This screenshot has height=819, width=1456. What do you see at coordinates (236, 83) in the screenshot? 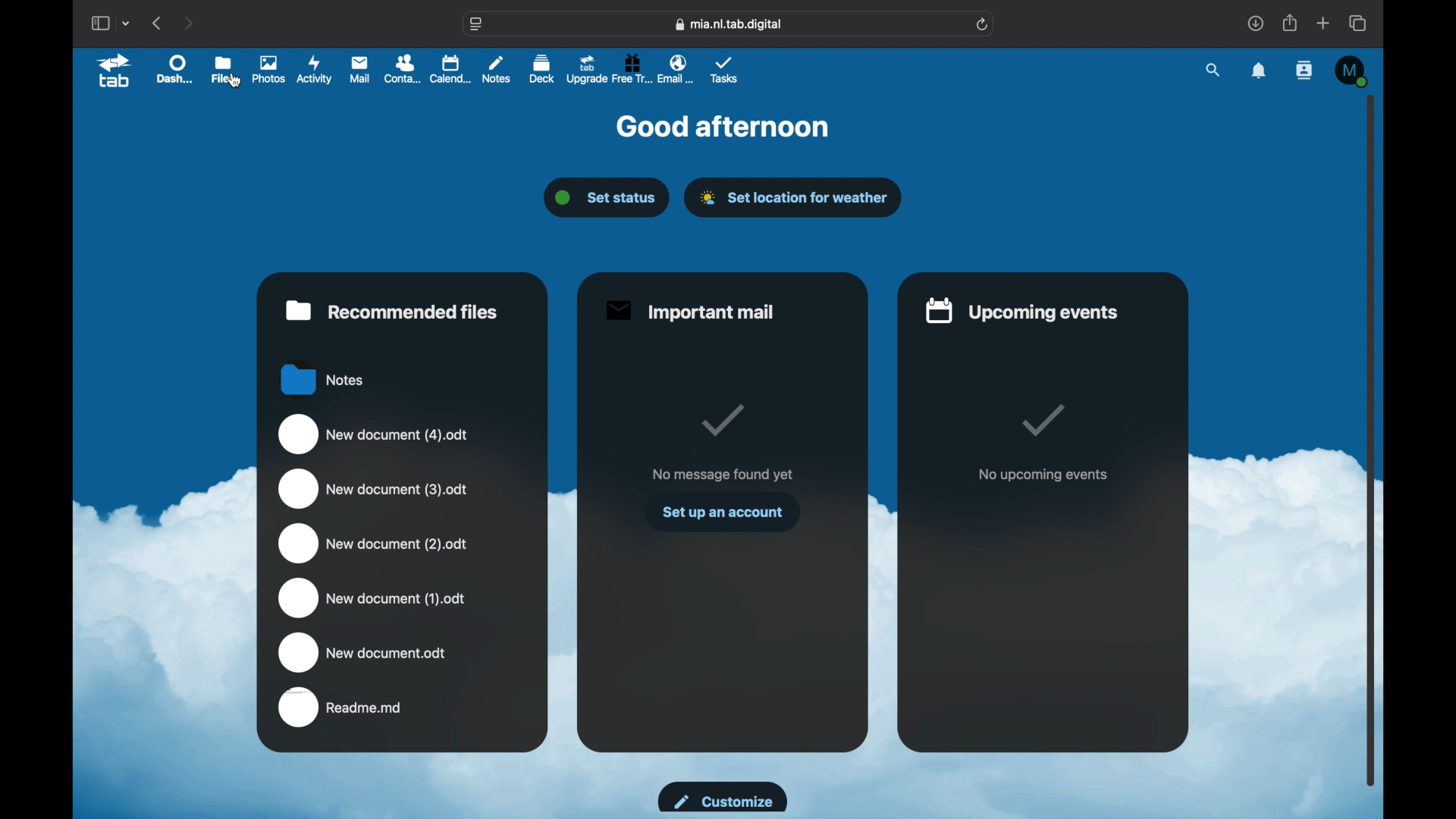
I see `cursor` at bounding box center [236, 83].